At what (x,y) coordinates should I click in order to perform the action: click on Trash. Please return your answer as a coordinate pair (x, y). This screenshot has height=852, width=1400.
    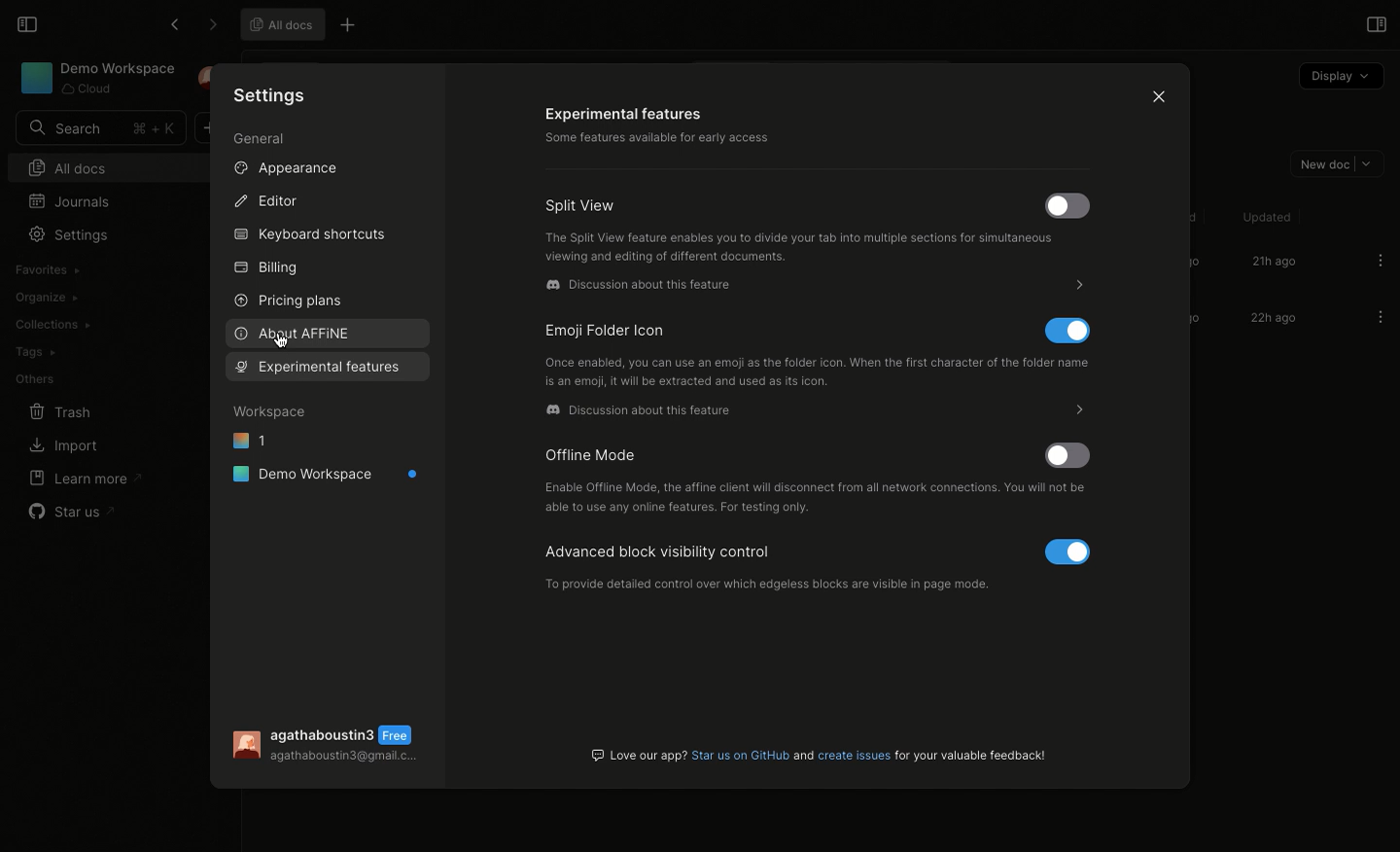
    Looking at the image, I should click on (60, 412).